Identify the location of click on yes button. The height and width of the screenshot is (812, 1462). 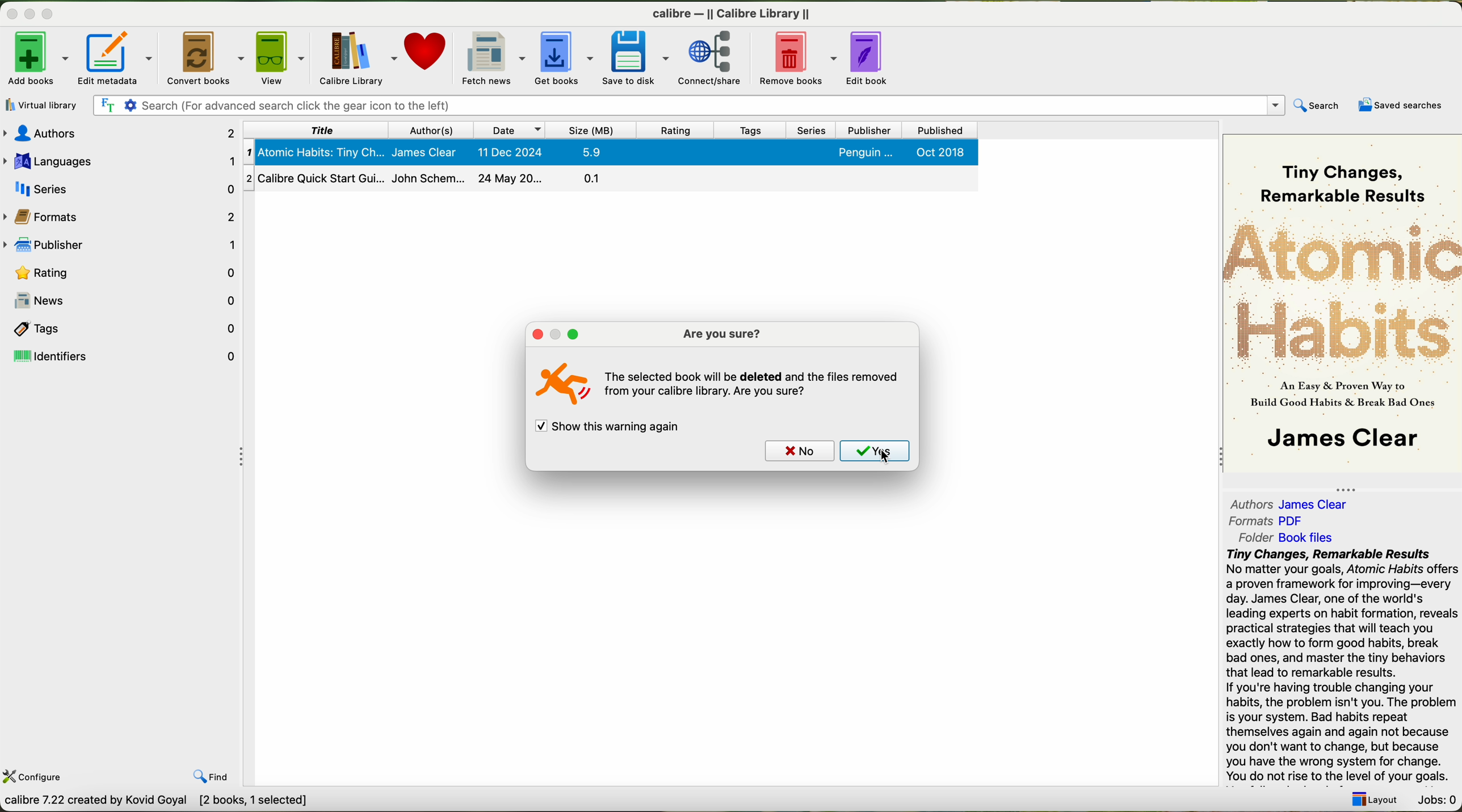
(873, 452).